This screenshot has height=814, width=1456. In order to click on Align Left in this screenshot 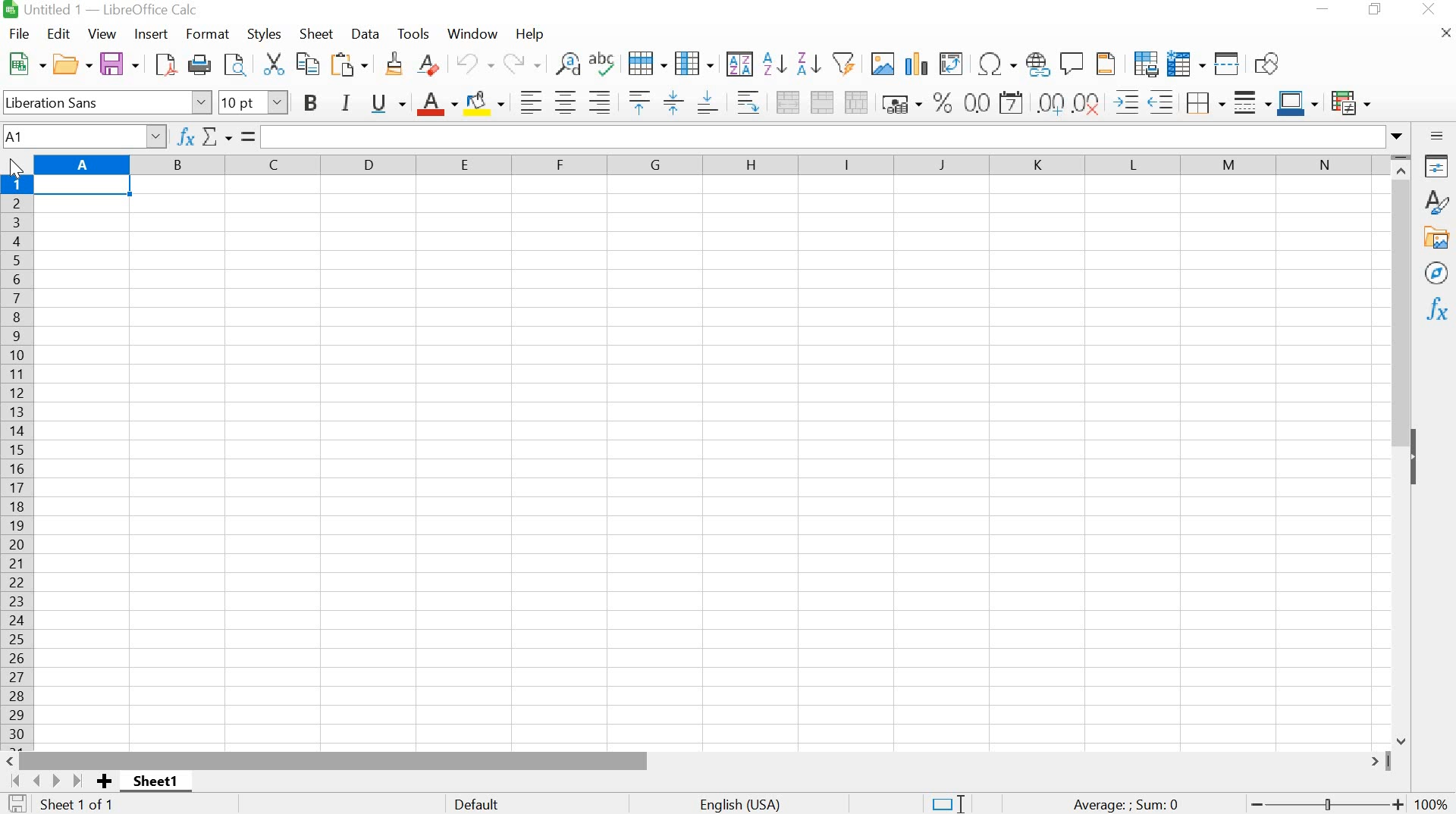, I will do `click(529, 100)`.